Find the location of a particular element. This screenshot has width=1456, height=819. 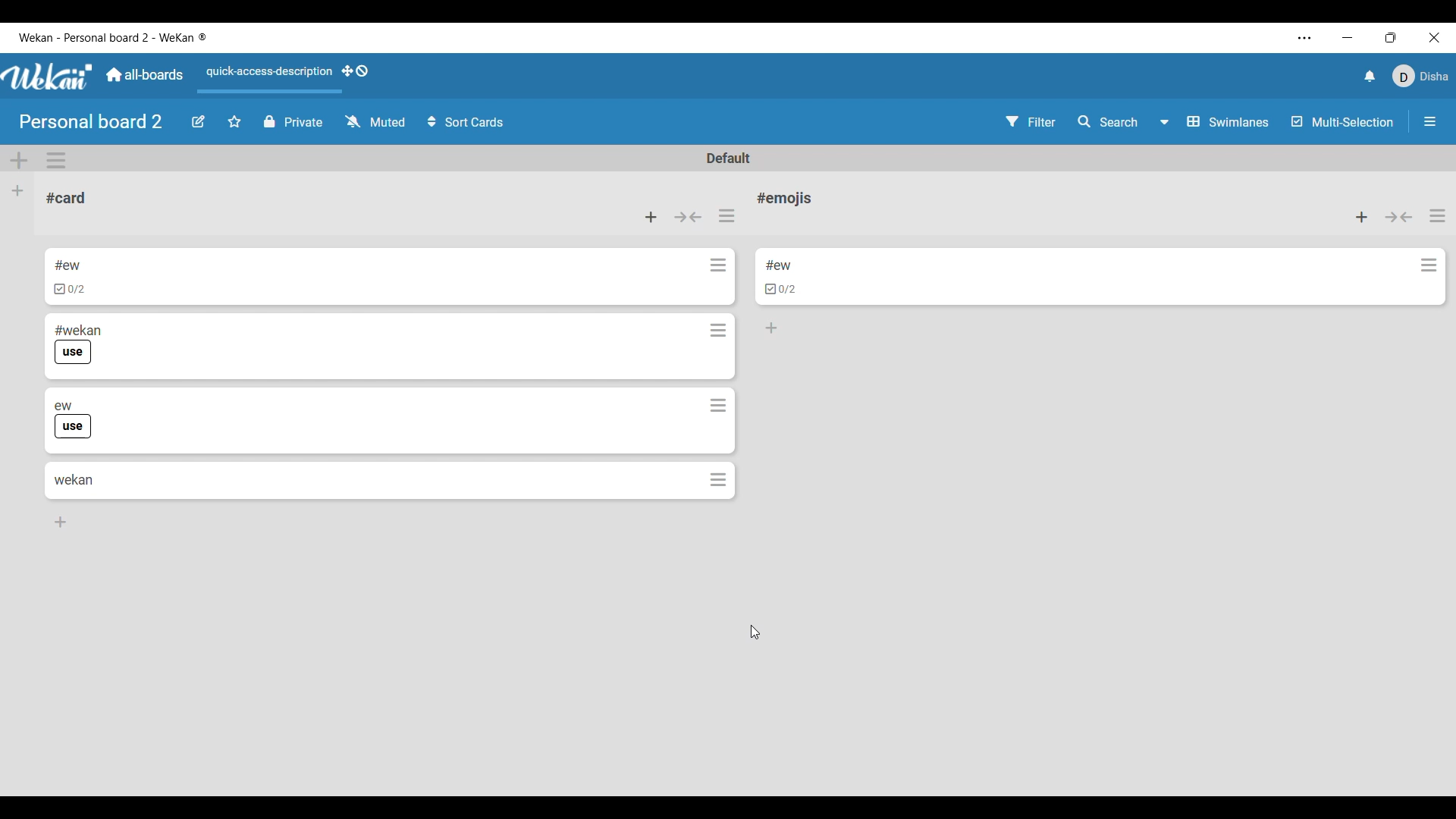

List  name is located at coordinates (784, 198).